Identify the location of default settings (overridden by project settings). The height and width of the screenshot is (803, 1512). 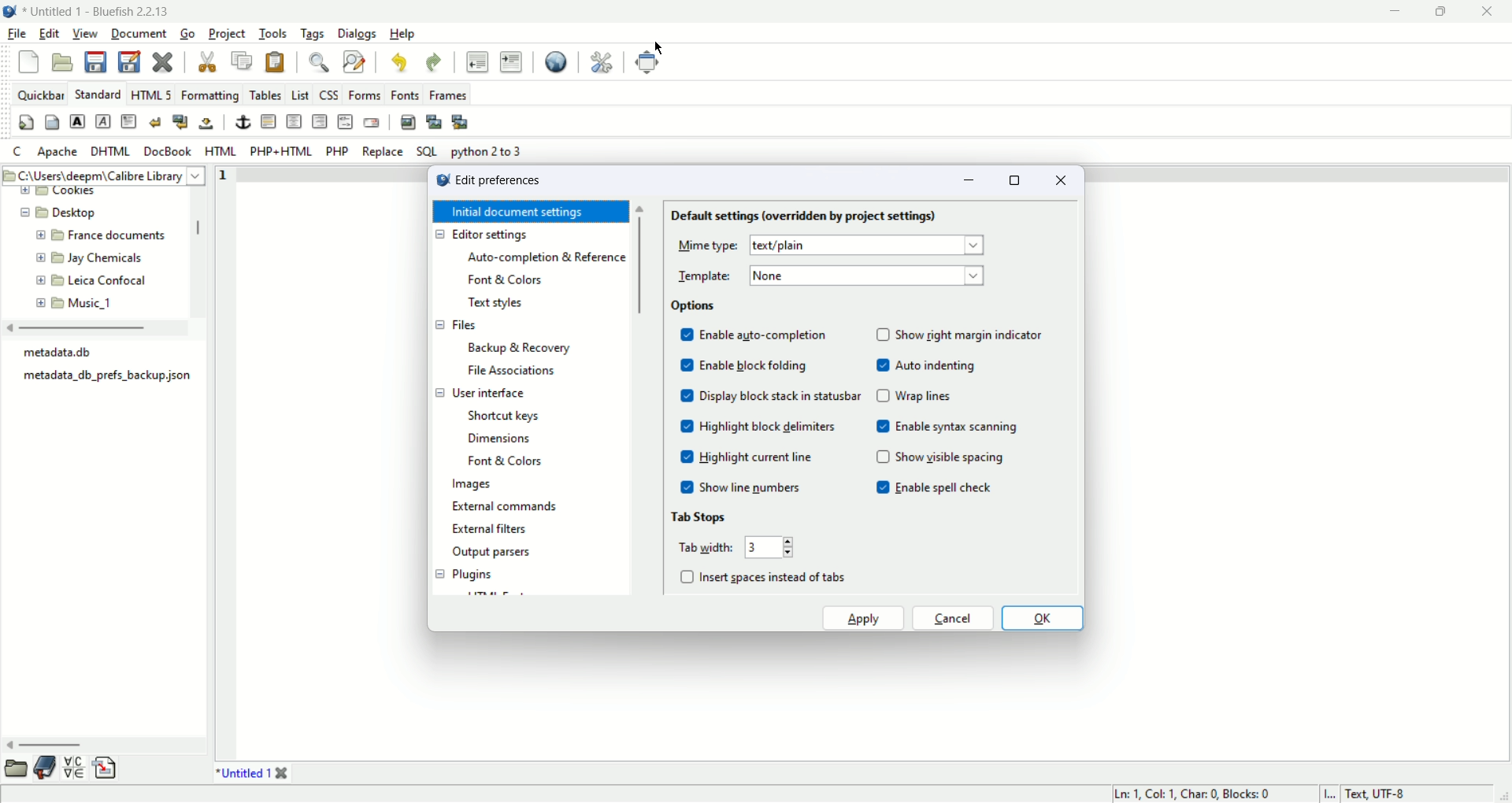
(809, 216).